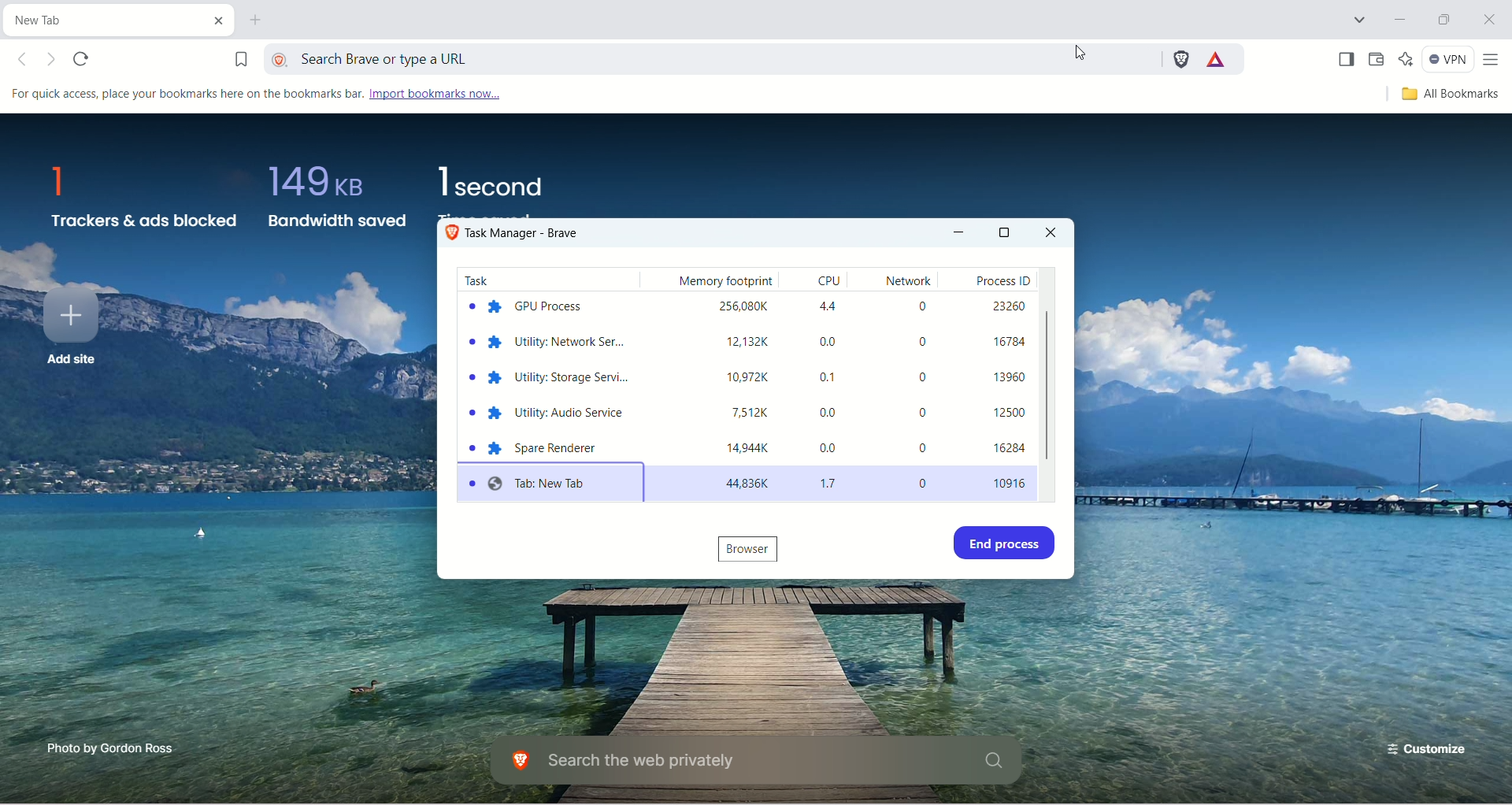 The height and width of the screenshot is (805, 1512). Describe the element at coordinates (541, 446) in the screenshot. I see `spare render` at that location.